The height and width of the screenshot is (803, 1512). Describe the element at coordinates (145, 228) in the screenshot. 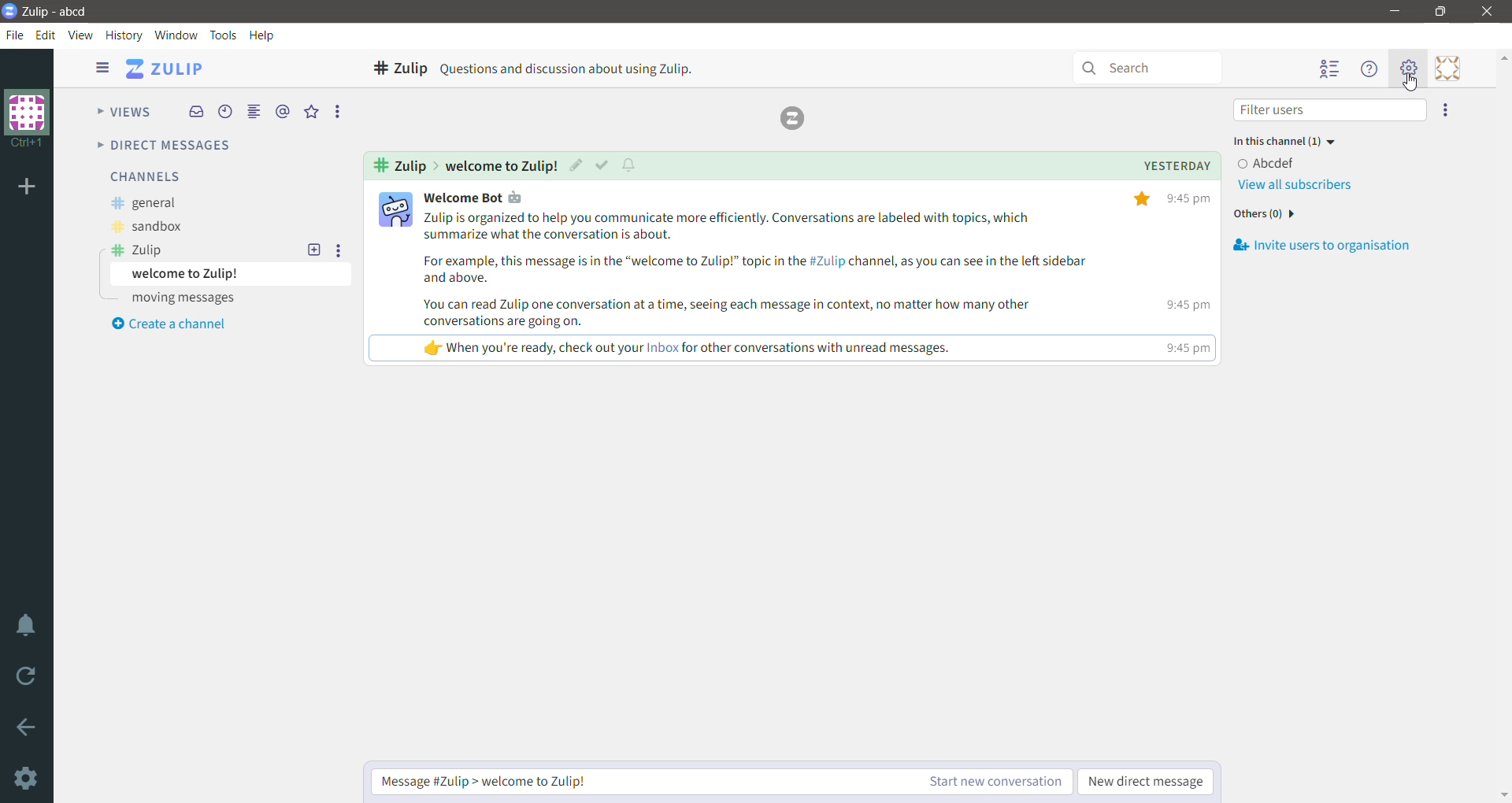

I see `sandbox` at that location.